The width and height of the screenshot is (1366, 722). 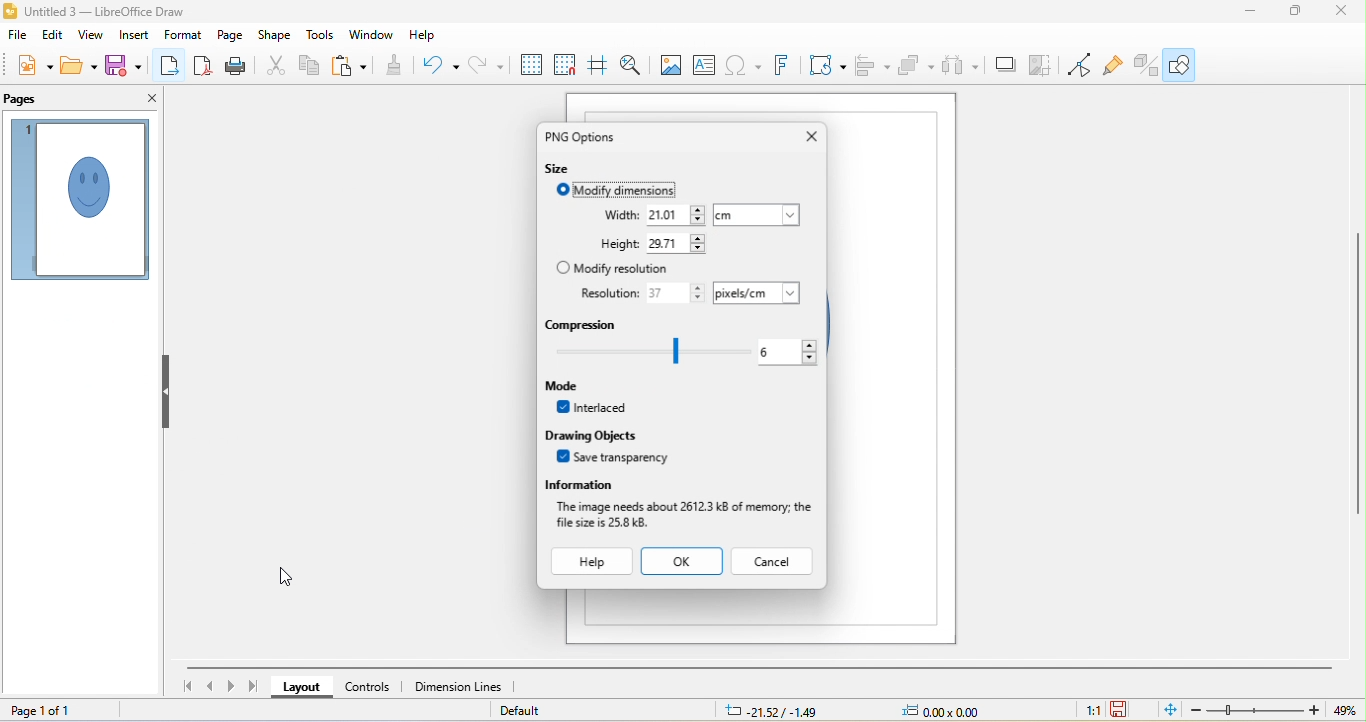 What do you see at coordinates (239, 67) in the screenshot?
I see `print` at bounding box center [239, 67].